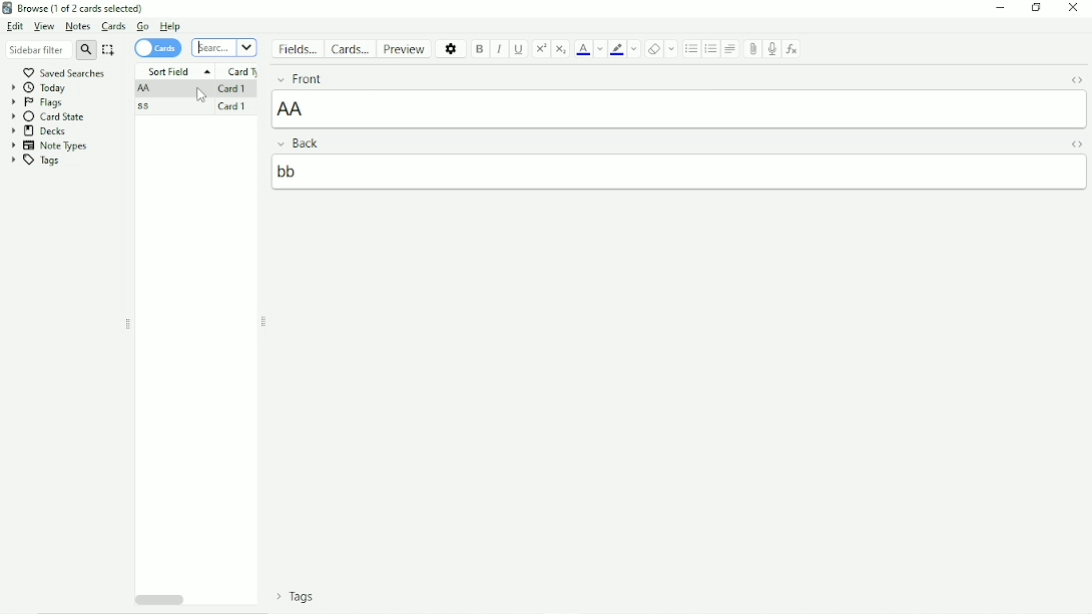  I want to click on Help, so click(171, 26).